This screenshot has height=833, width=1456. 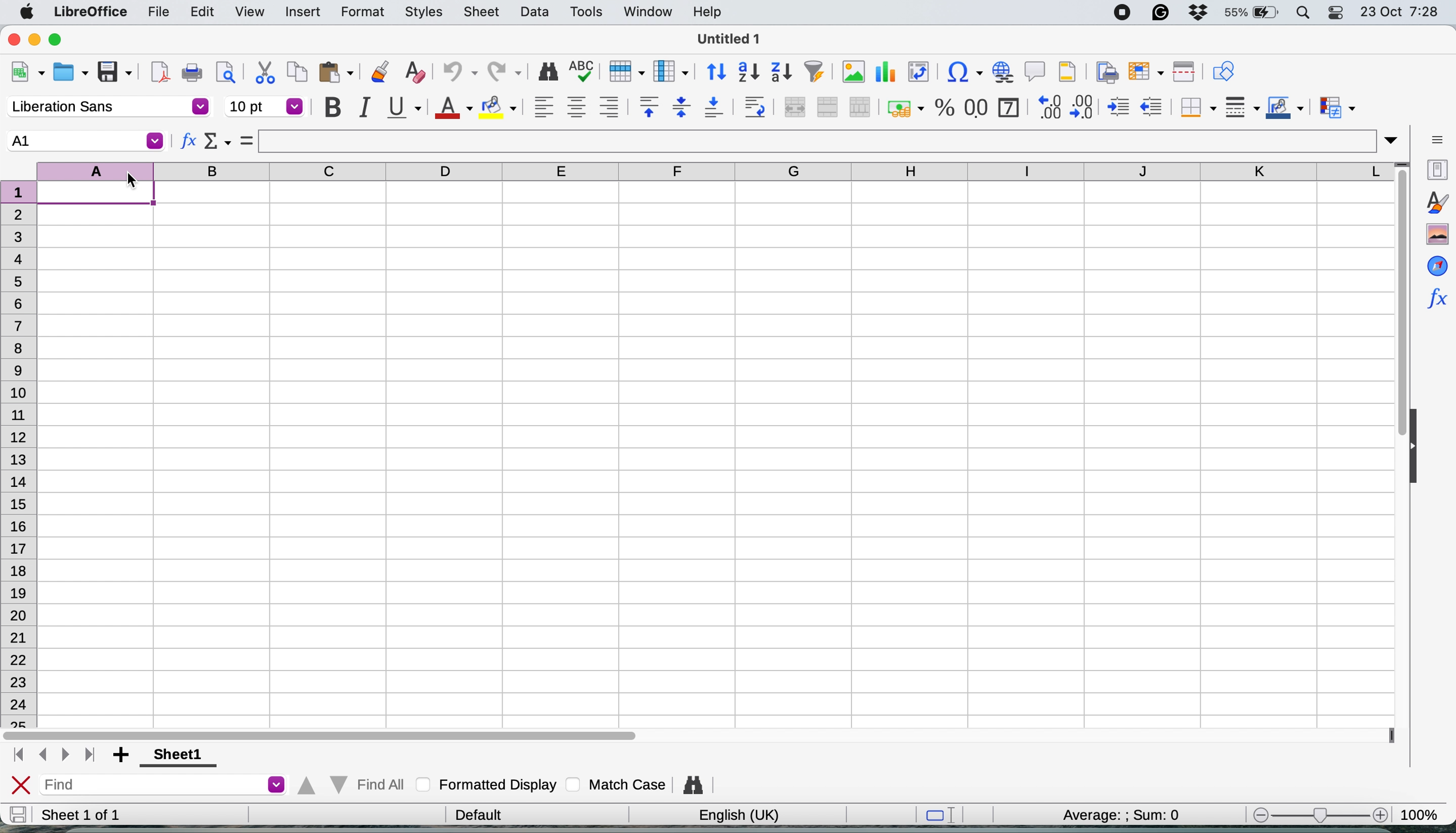 I want to click on toggle print preview, so click(x=228, y=73).